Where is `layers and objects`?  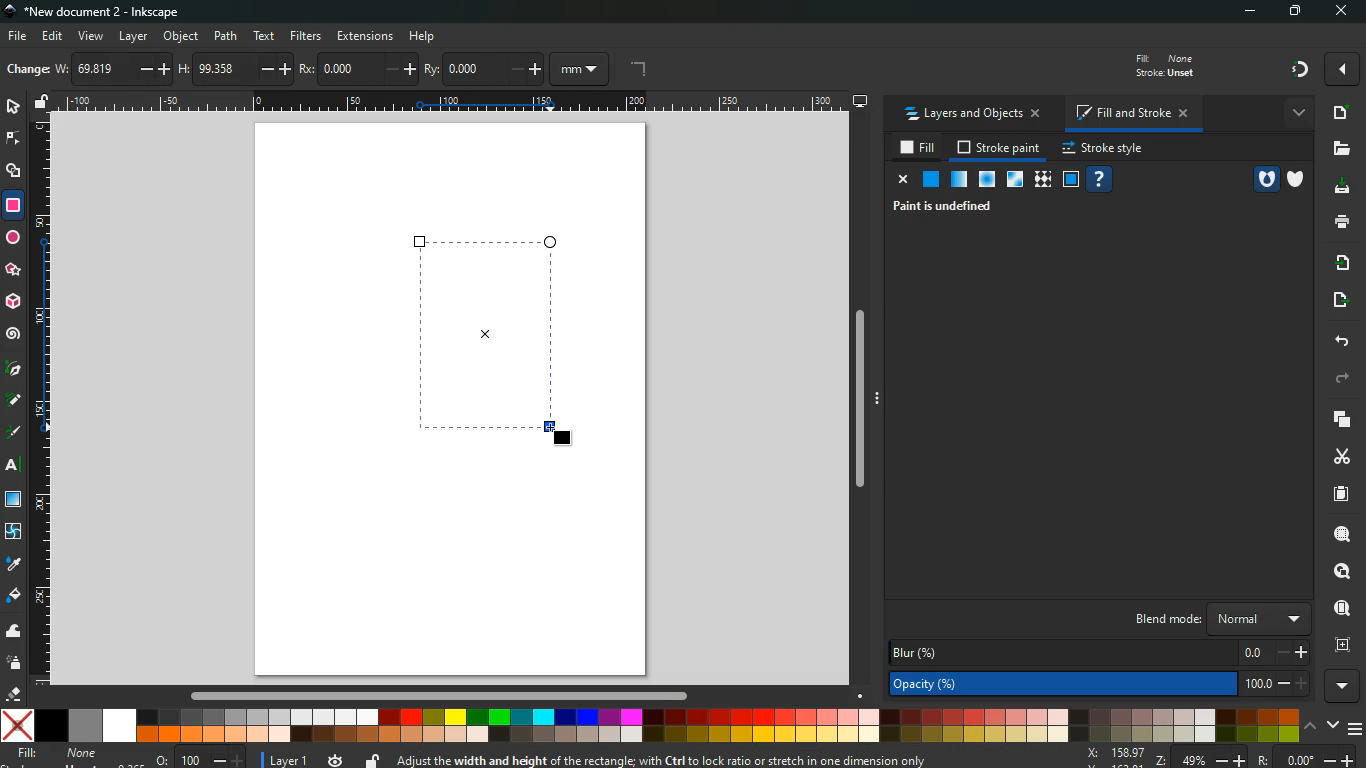
layers and objects is located at coordinates (974, 115).